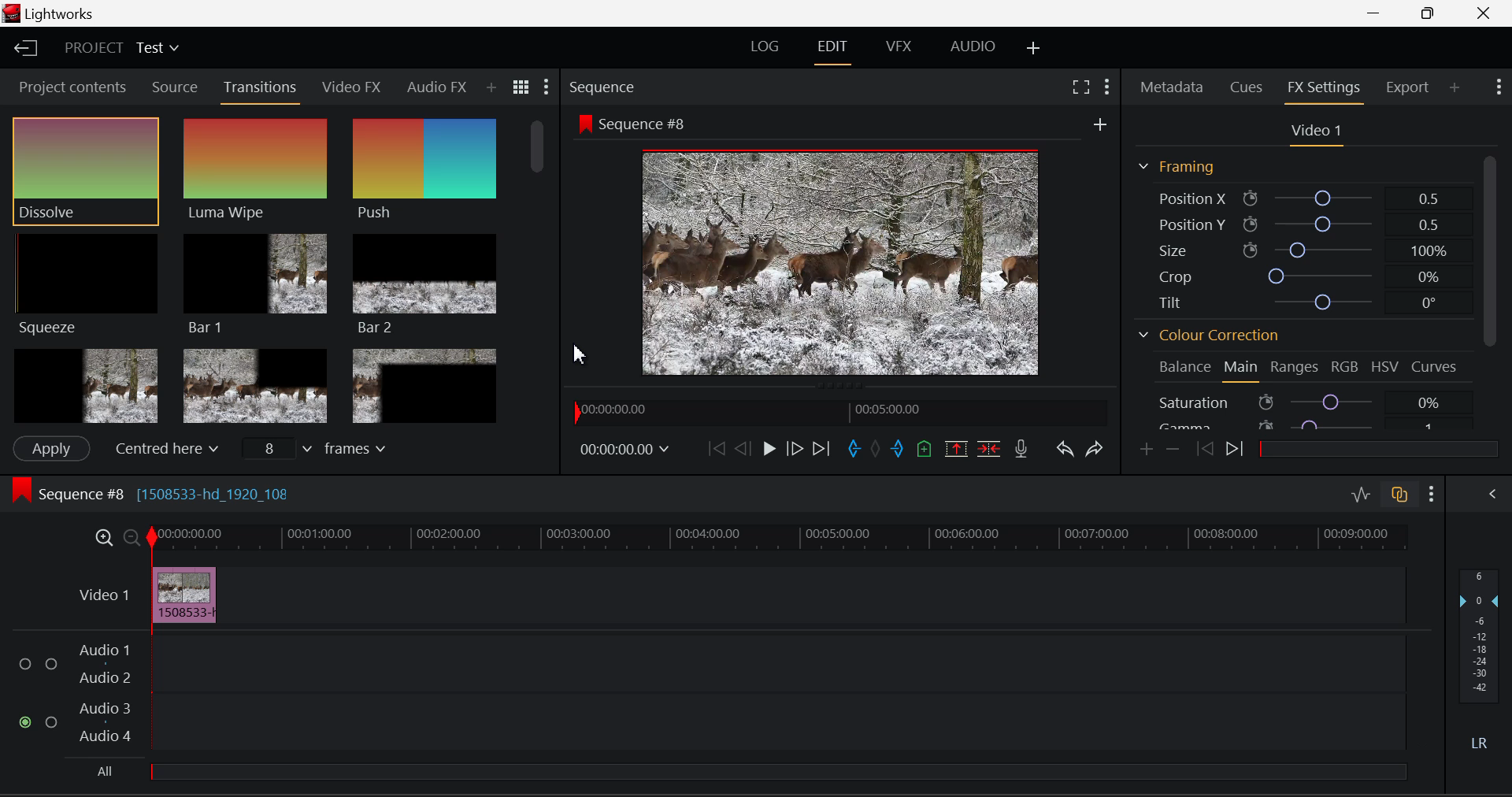 The height and width of the screenshot is (797, 1512). I want to click on Cues, so click(1247, 85).